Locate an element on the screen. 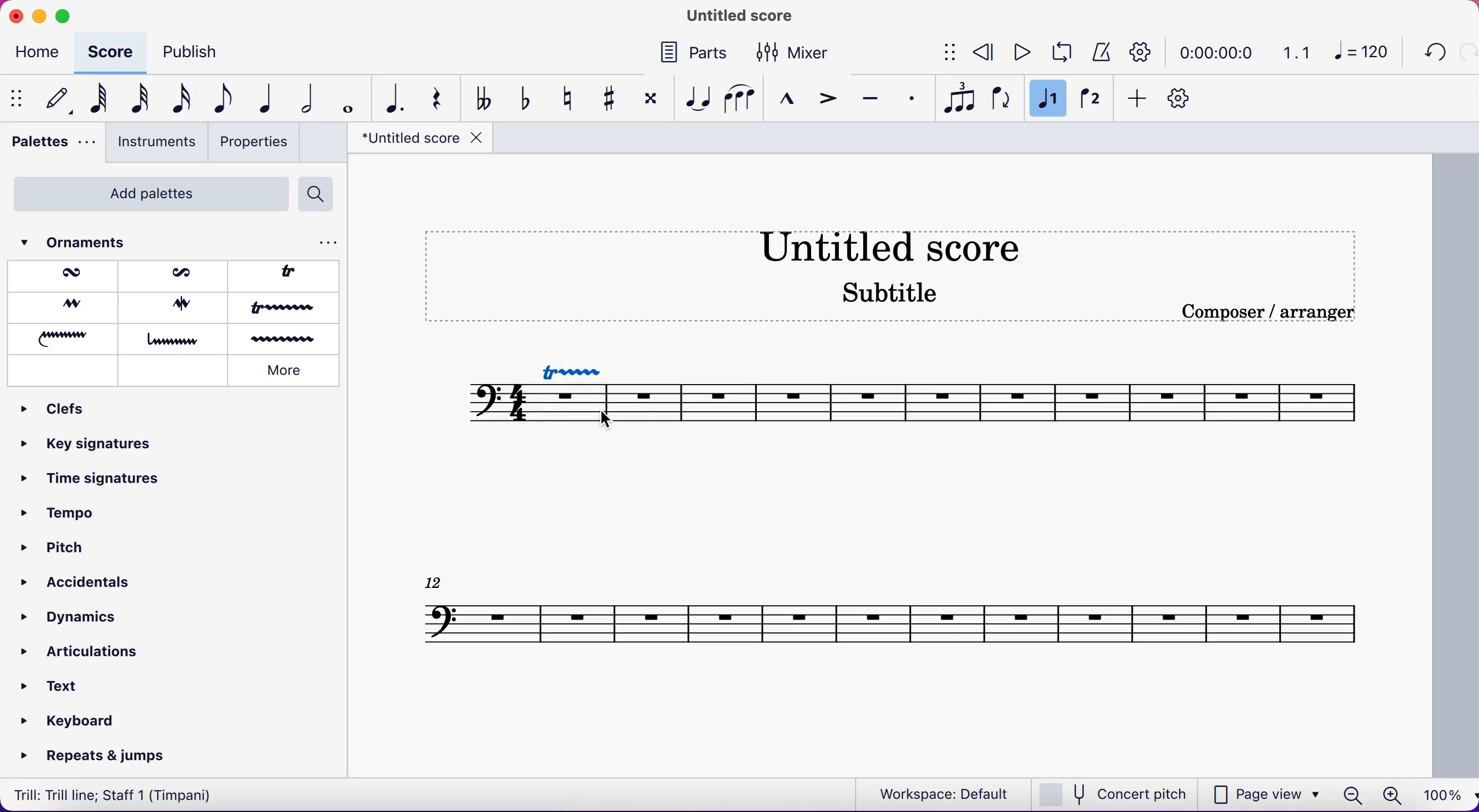 This screenshot has width=1479, height=812. more is located at coordinates (289, 370).